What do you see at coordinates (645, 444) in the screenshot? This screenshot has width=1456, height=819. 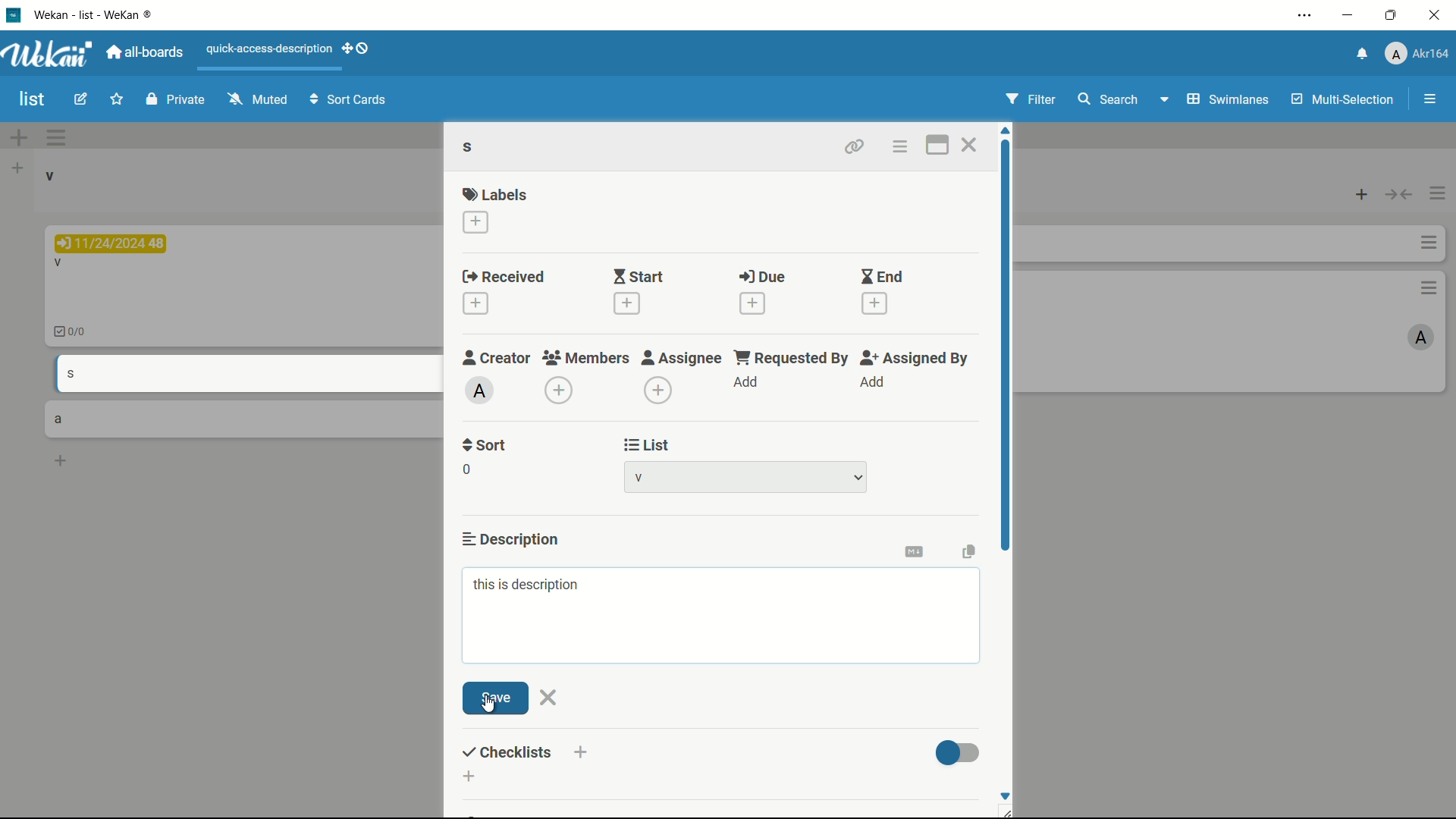 I see `list` at bounding box center [645, 444].